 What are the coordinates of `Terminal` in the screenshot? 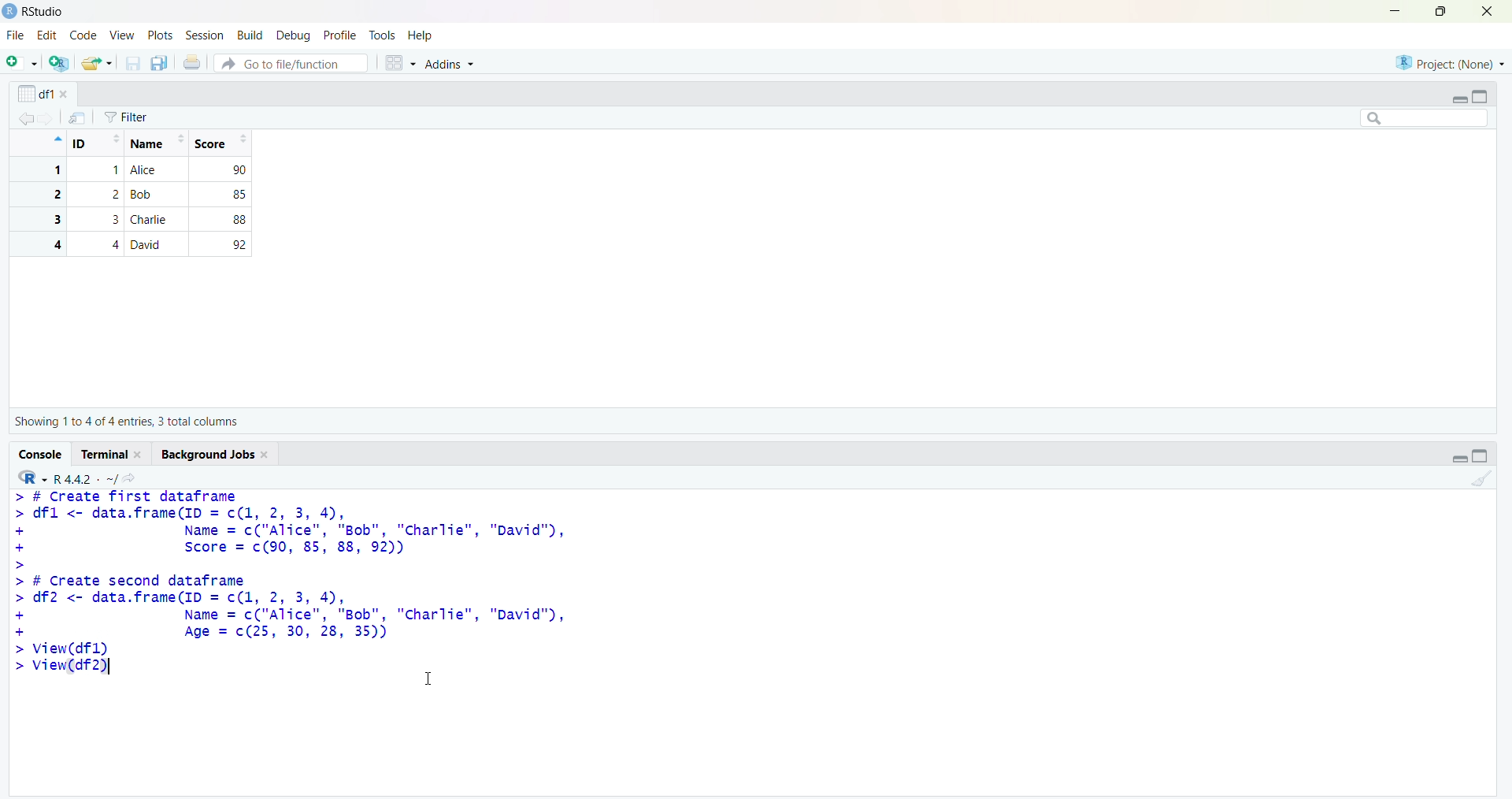 It's located at (106, 454).